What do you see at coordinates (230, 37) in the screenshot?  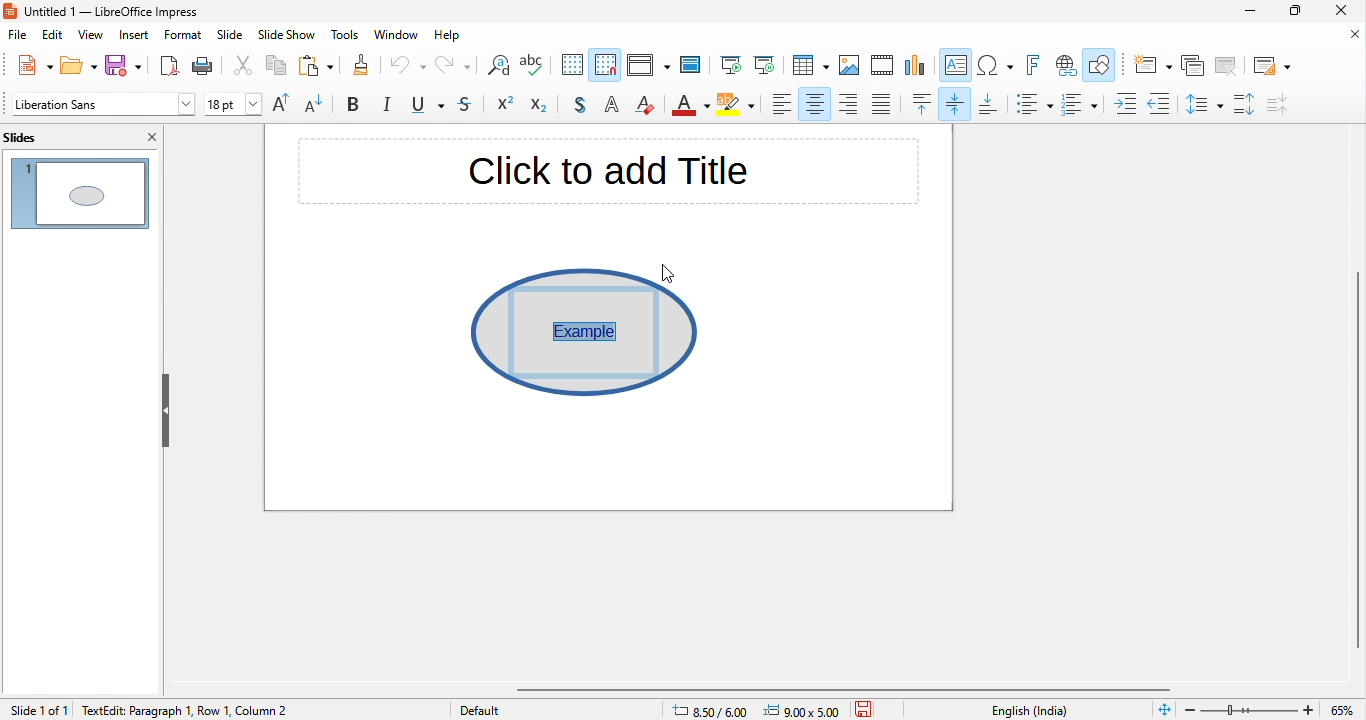 I see `slide` at bounding box center [230, 37].